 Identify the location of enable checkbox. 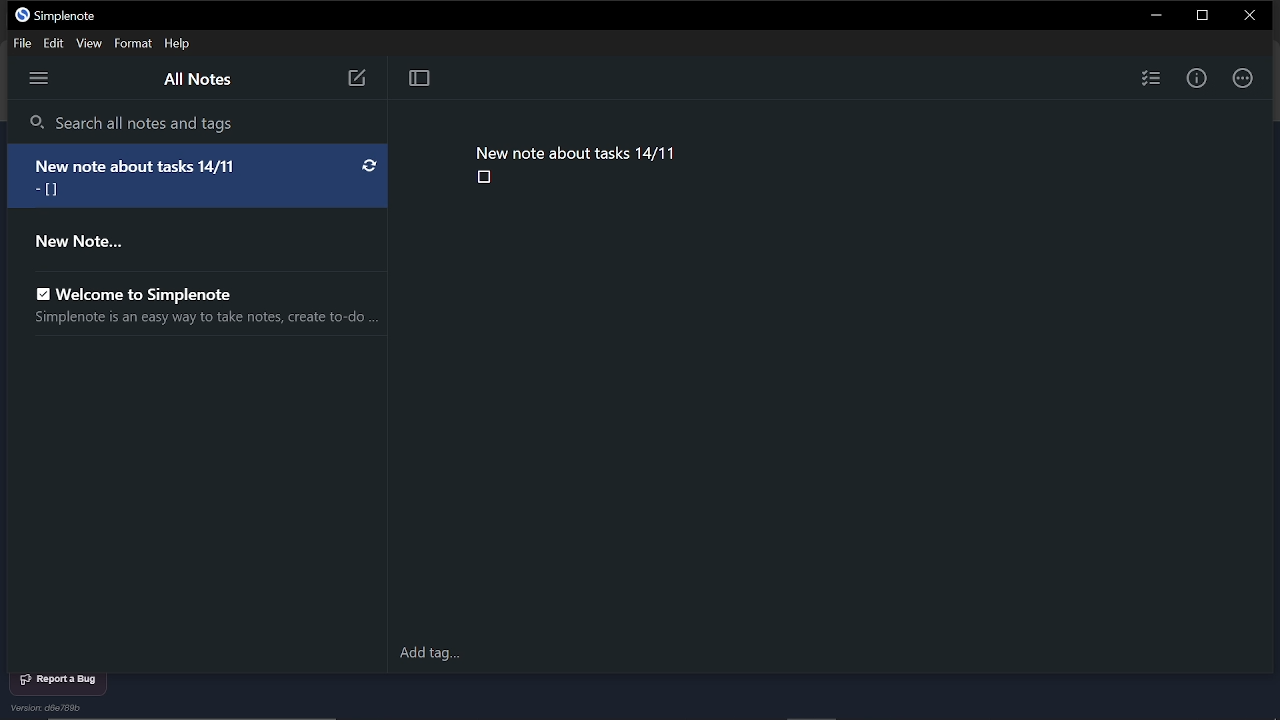
(42, 294).